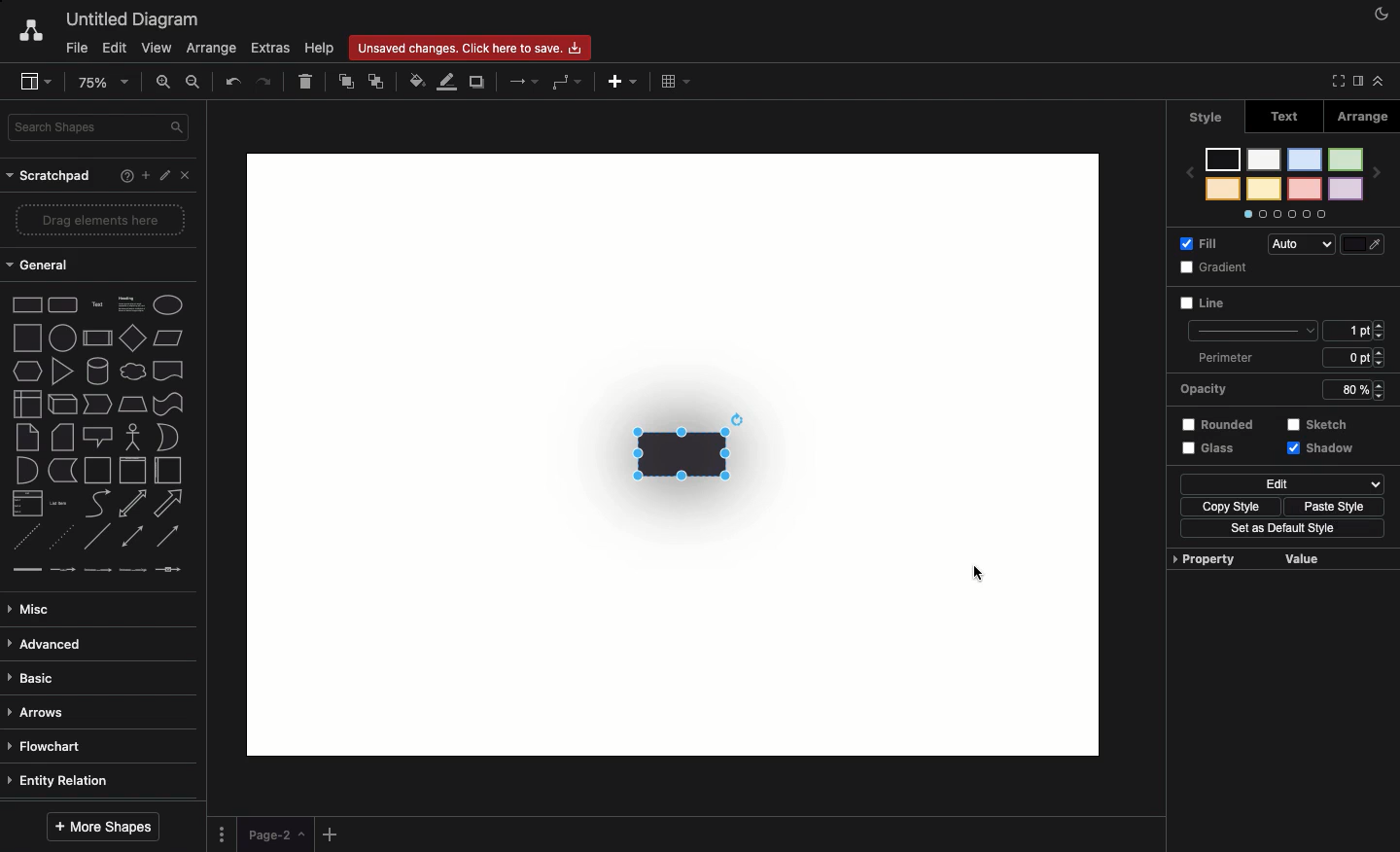 The image size is (1400, 852). Describe the element at coordinates (1201, 119) in the screenshot. I see `Style` at that location.